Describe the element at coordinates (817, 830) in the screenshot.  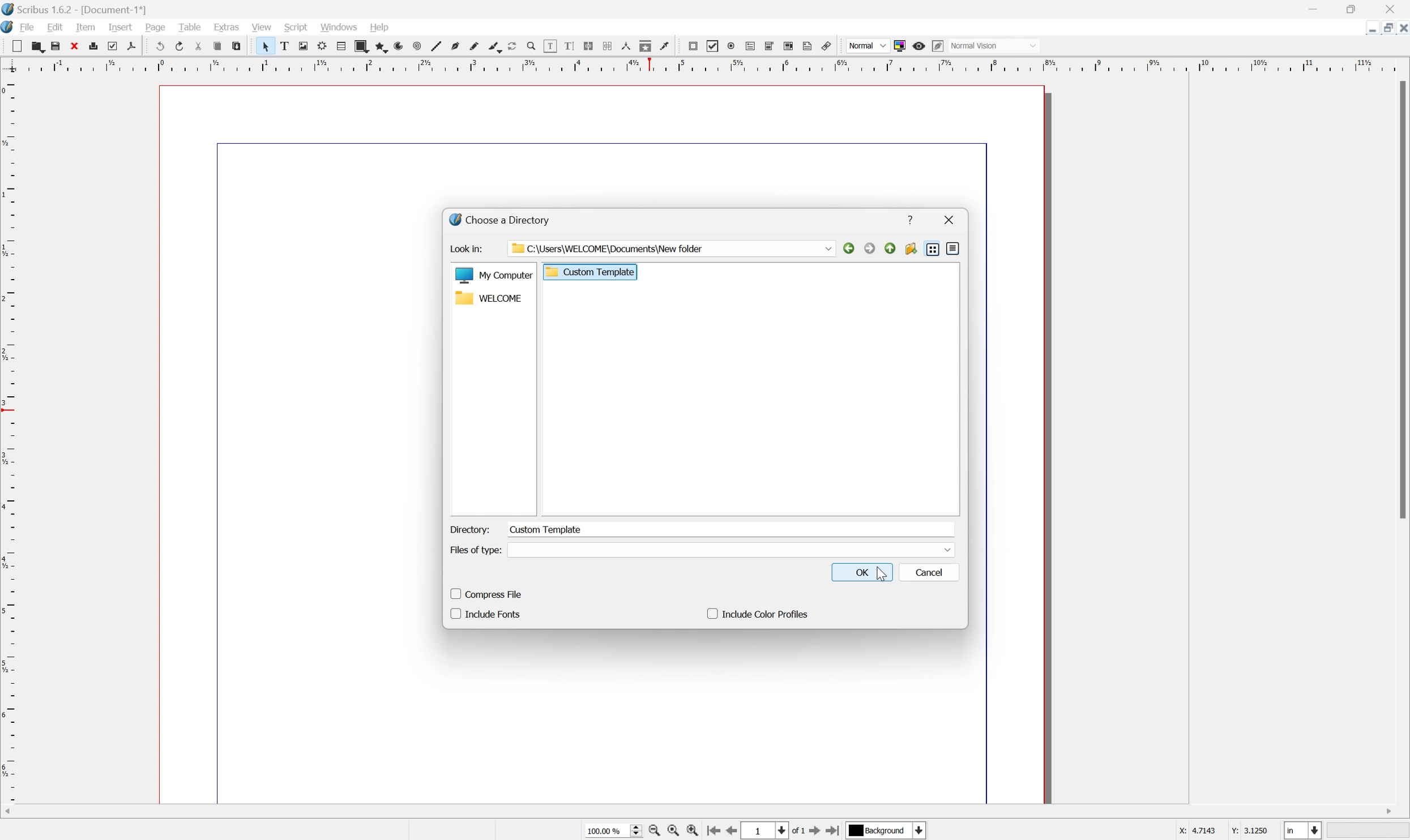
I see `Go to next page` at that location.